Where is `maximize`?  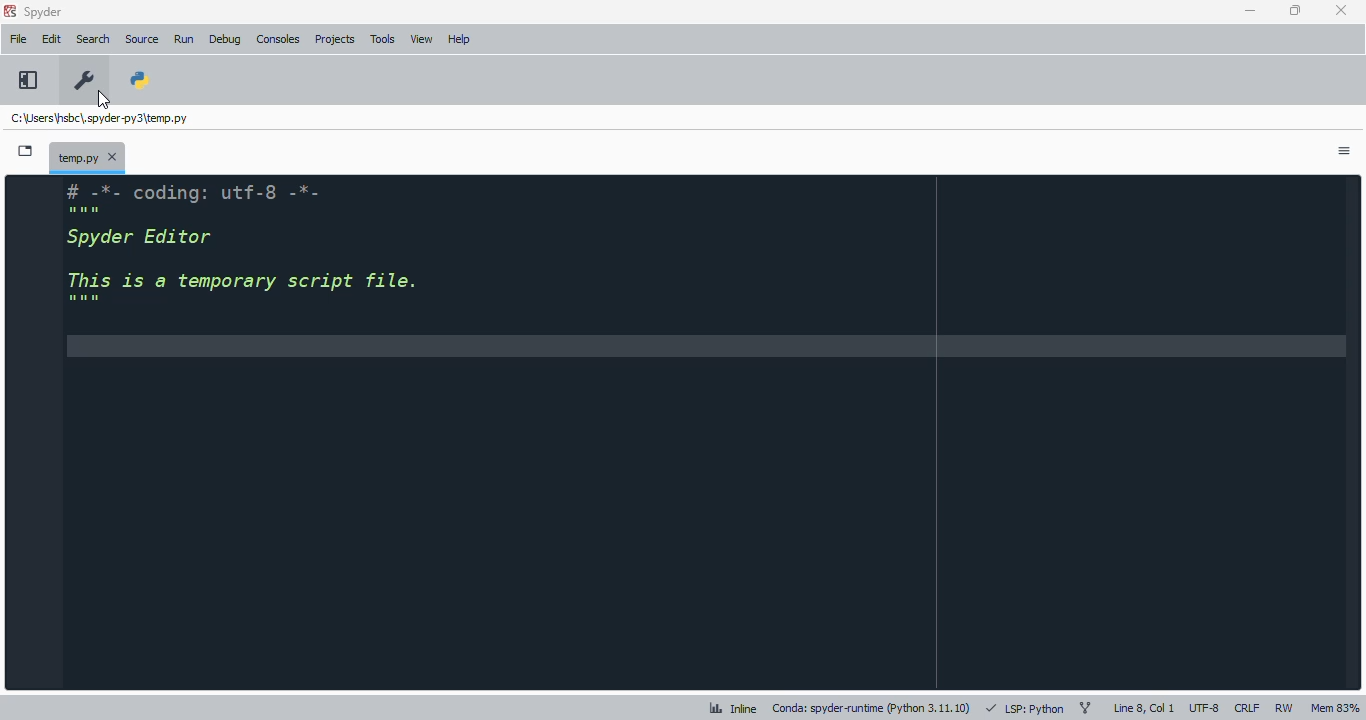 maximize is located at coordinates (1293, 10).